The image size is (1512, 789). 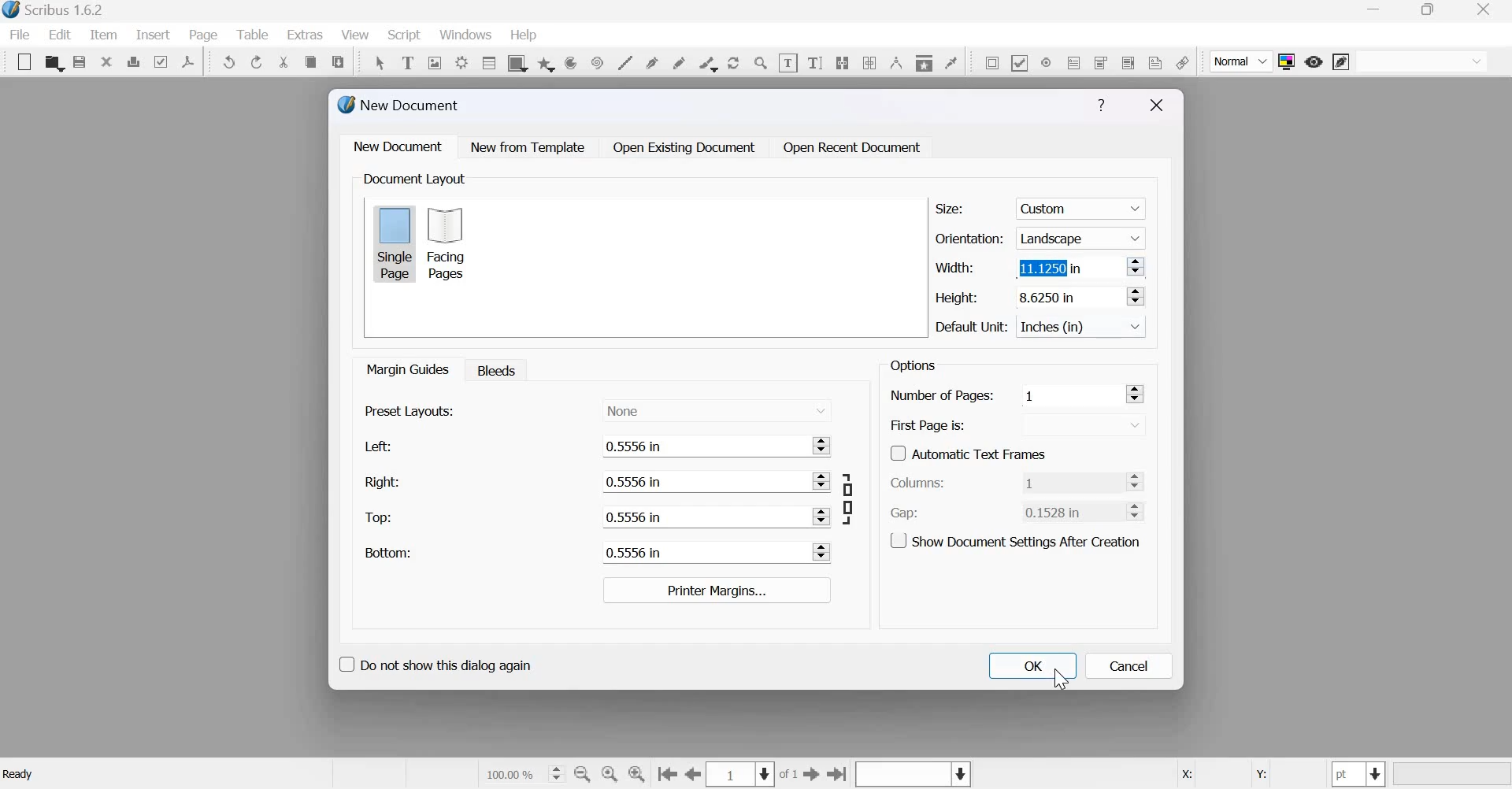 What do you see at coordinates (189, 61) in the screenshot?
I see `Save as PDF` at bounding box center [189, 61].